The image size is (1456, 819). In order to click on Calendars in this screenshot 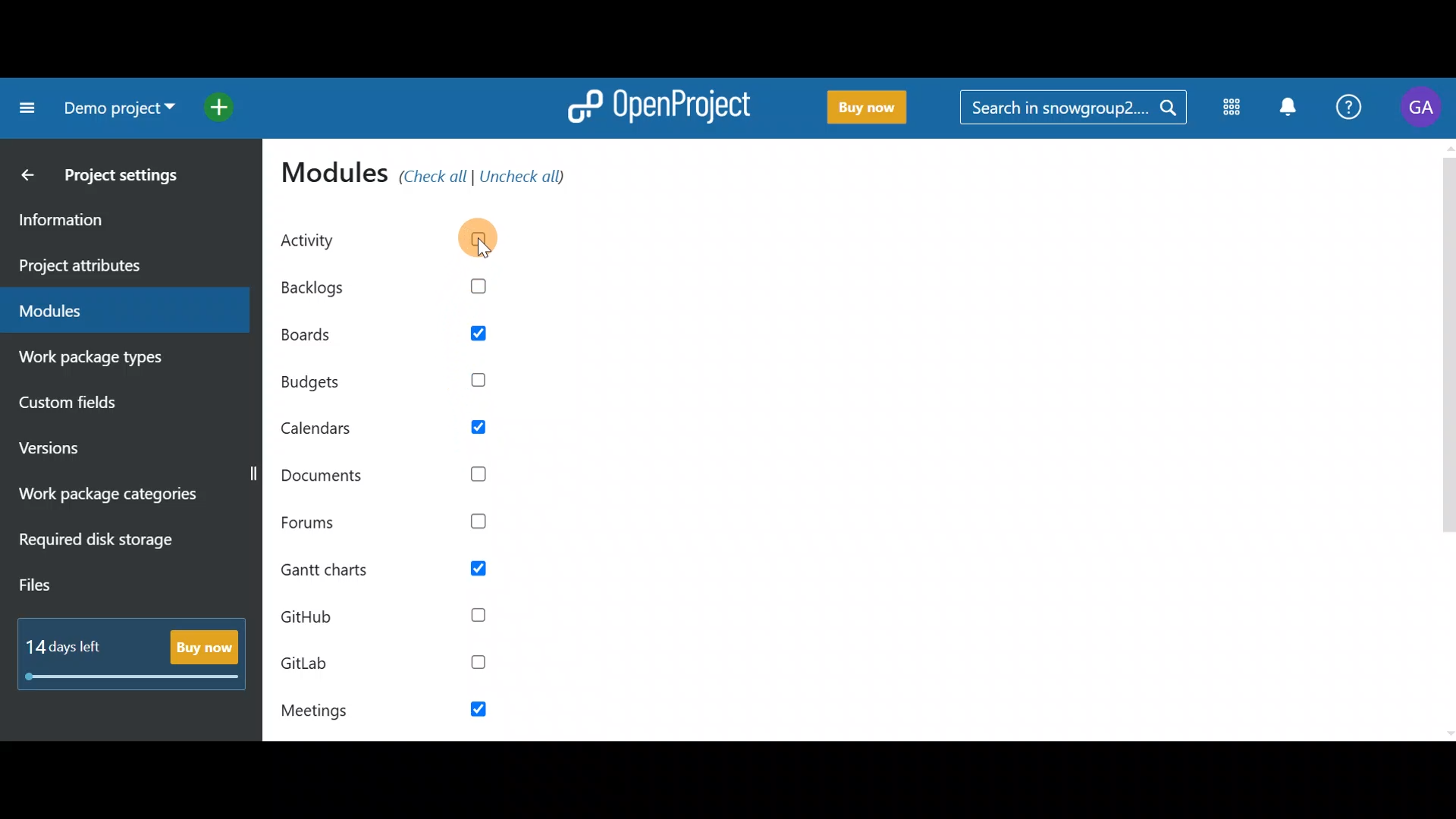, I will do `click(401, 432)`.